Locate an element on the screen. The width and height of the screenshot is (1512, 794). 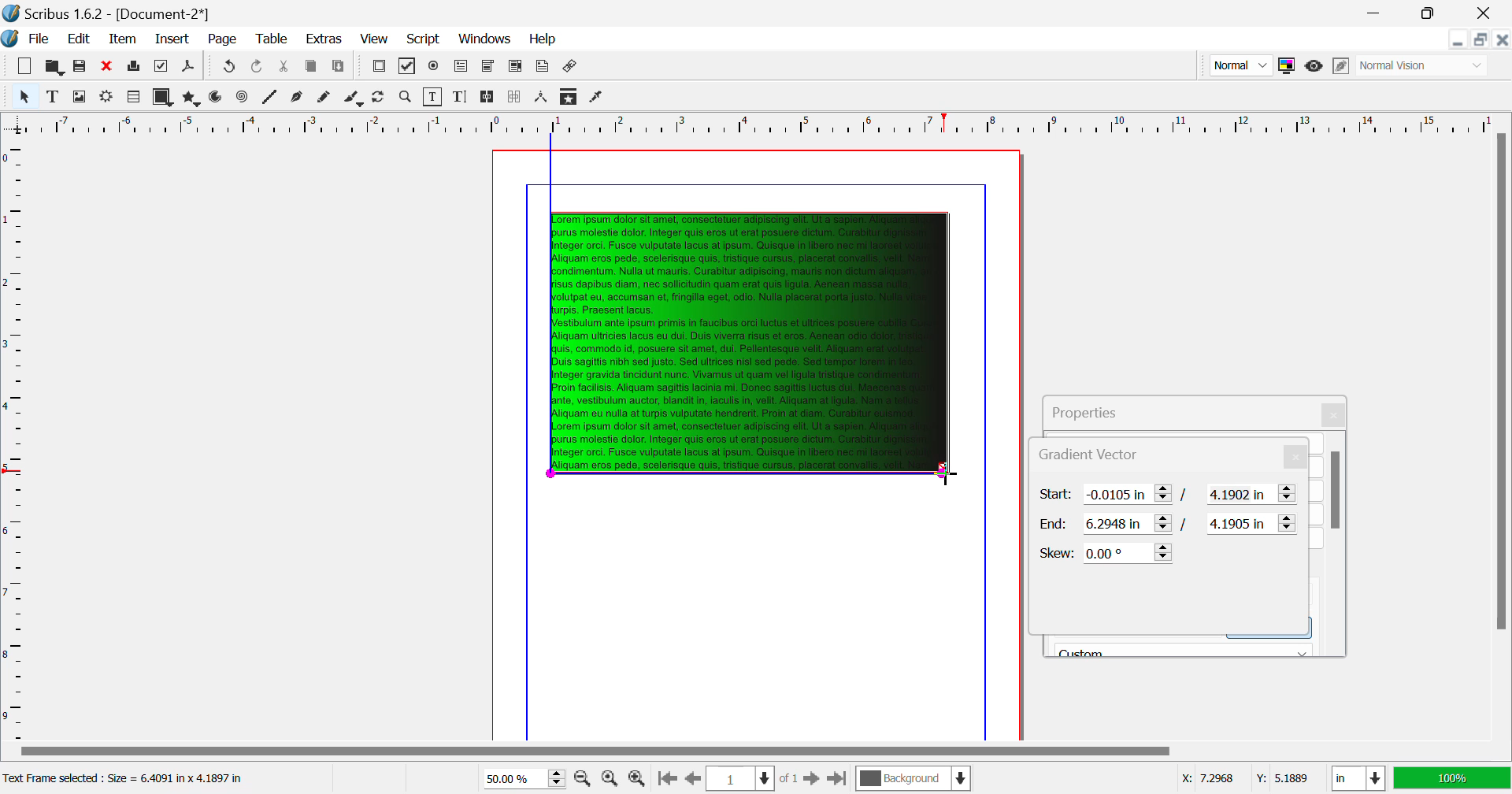
Print is located at coordinates (135, 66).